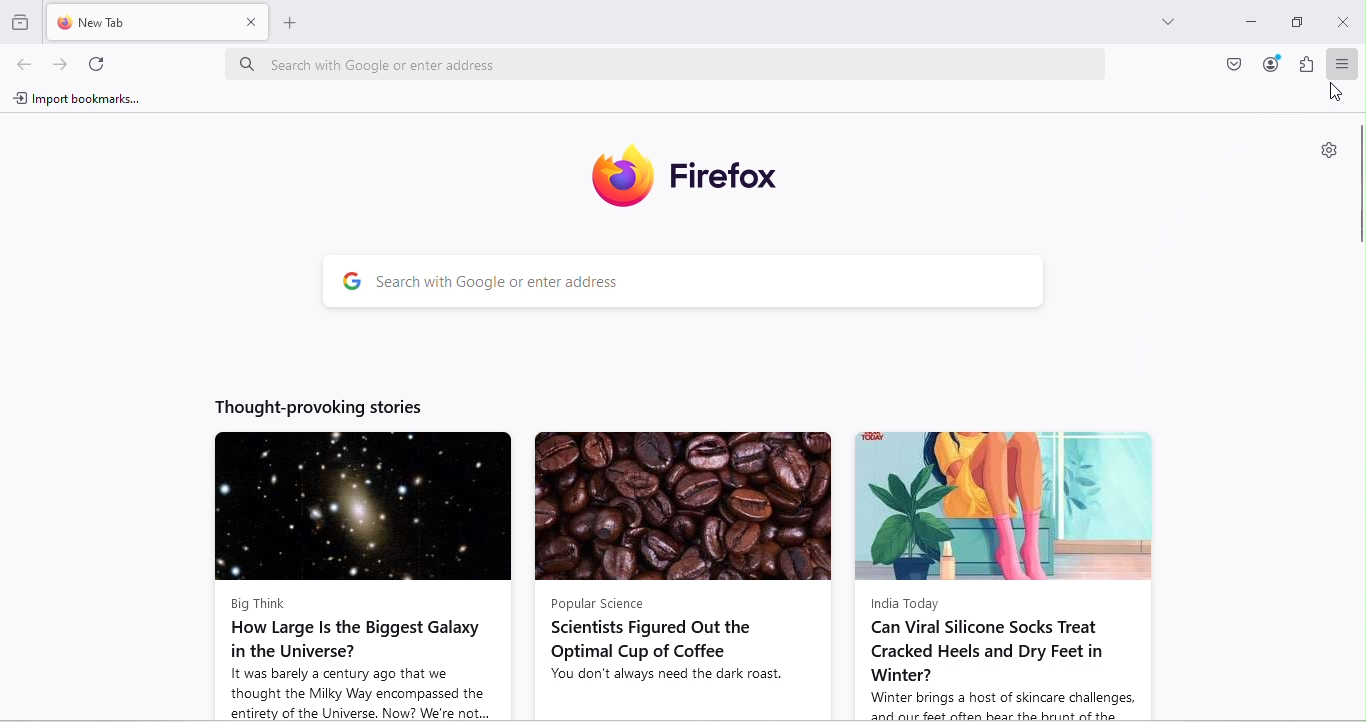 This screenshot has width=1366, height=722. I want to click on Open application menu, so click(1341, 64).